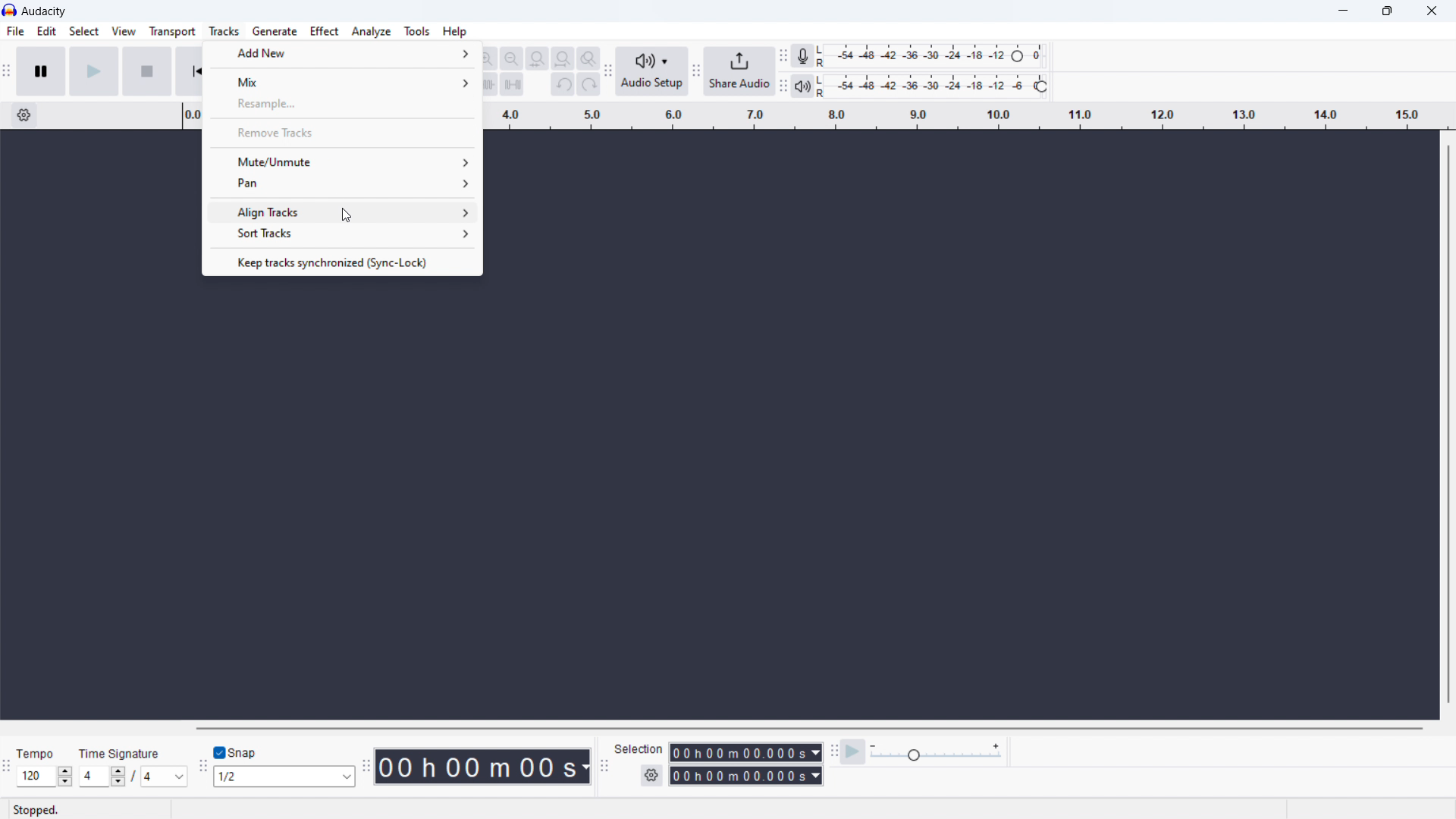  Describe the element at coordinates (454, 32) in the screenshot. I see `help` at that location.